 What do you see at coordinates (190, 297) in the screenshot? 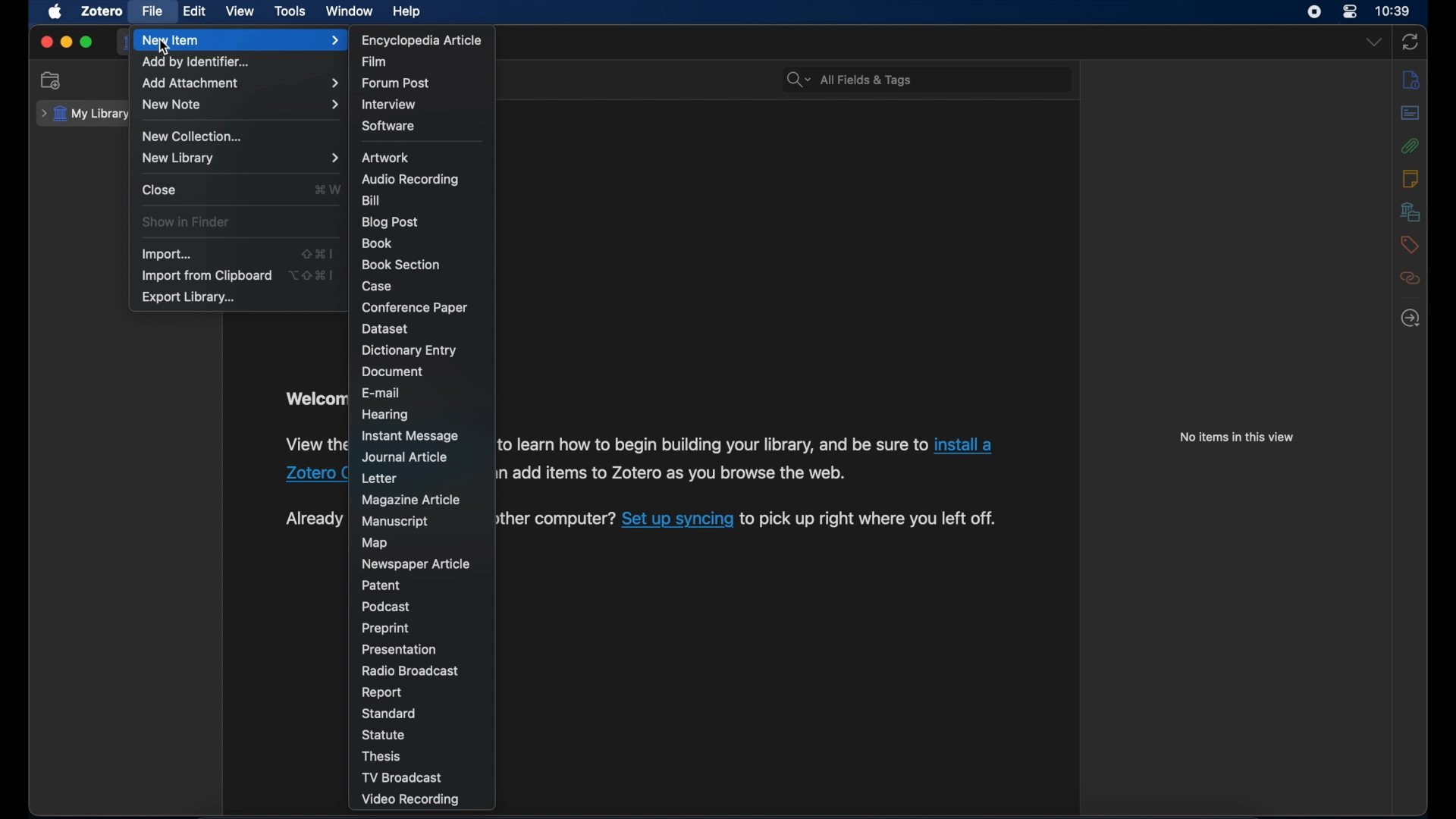
I see `export library` at bounding box center [190, 297].